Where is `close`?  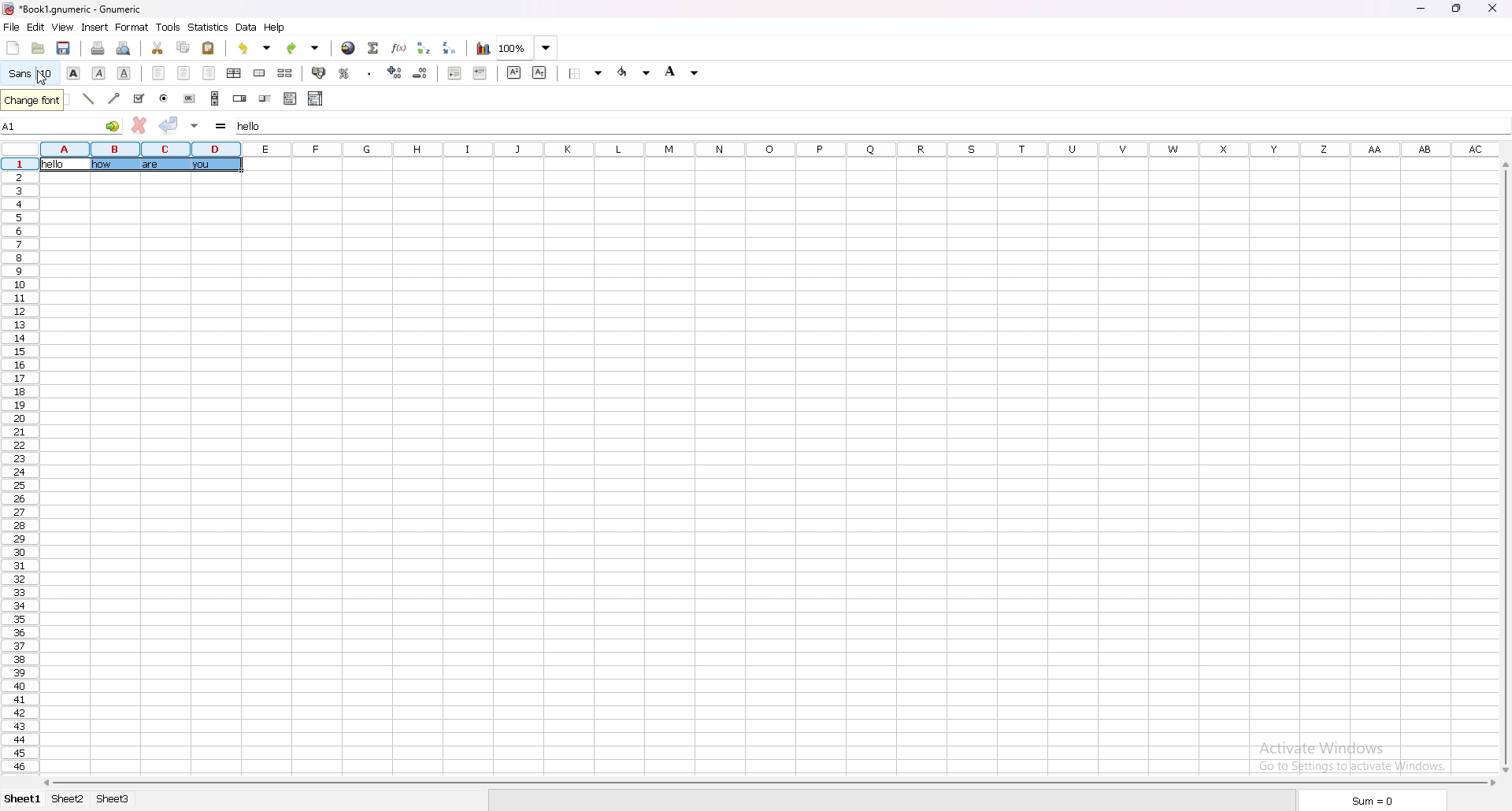 close is located at coordinates (1494, 9).